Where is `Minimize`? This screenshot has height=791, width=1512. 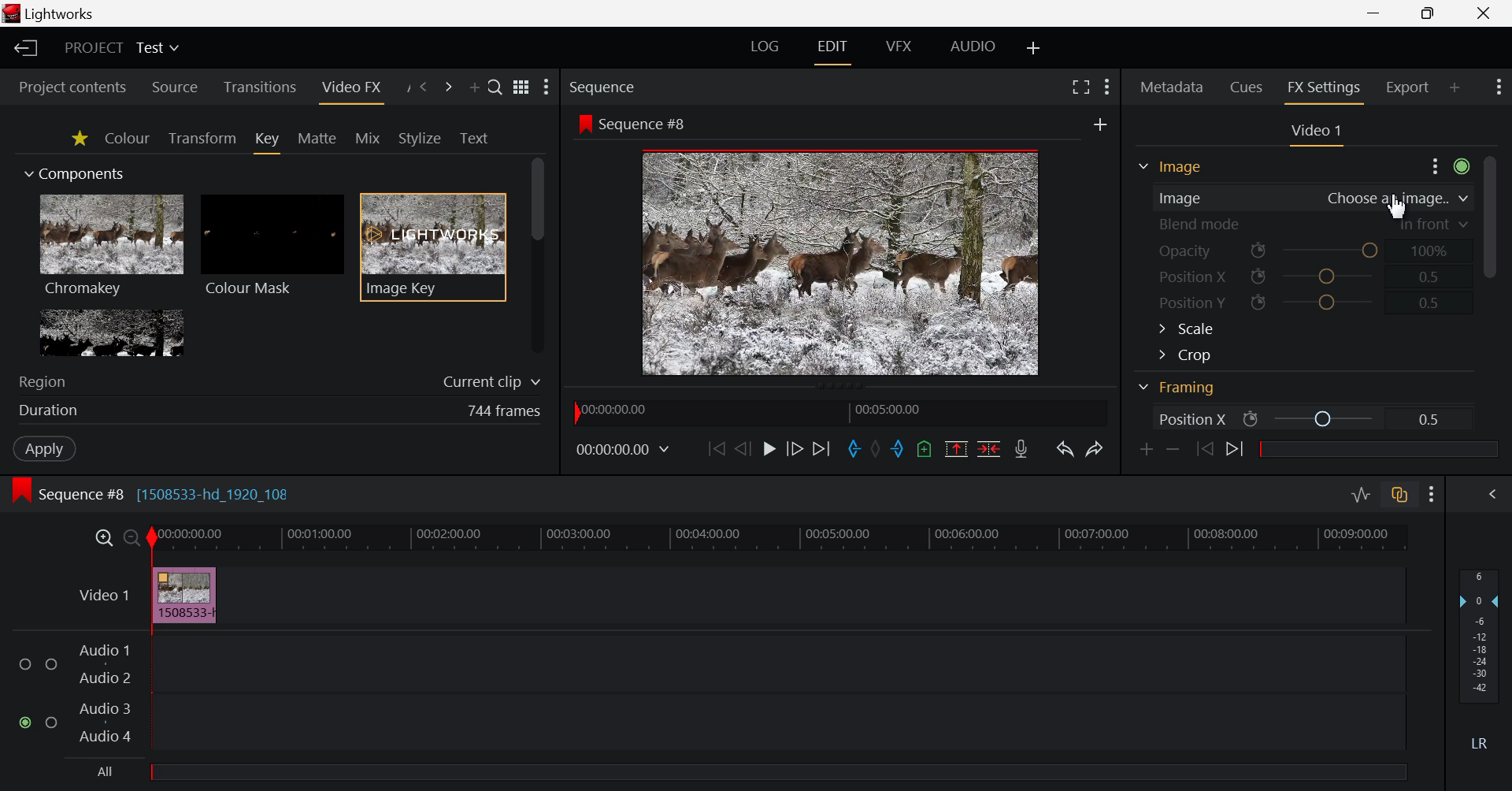 Minimize is located at coordinates (1428, 13).